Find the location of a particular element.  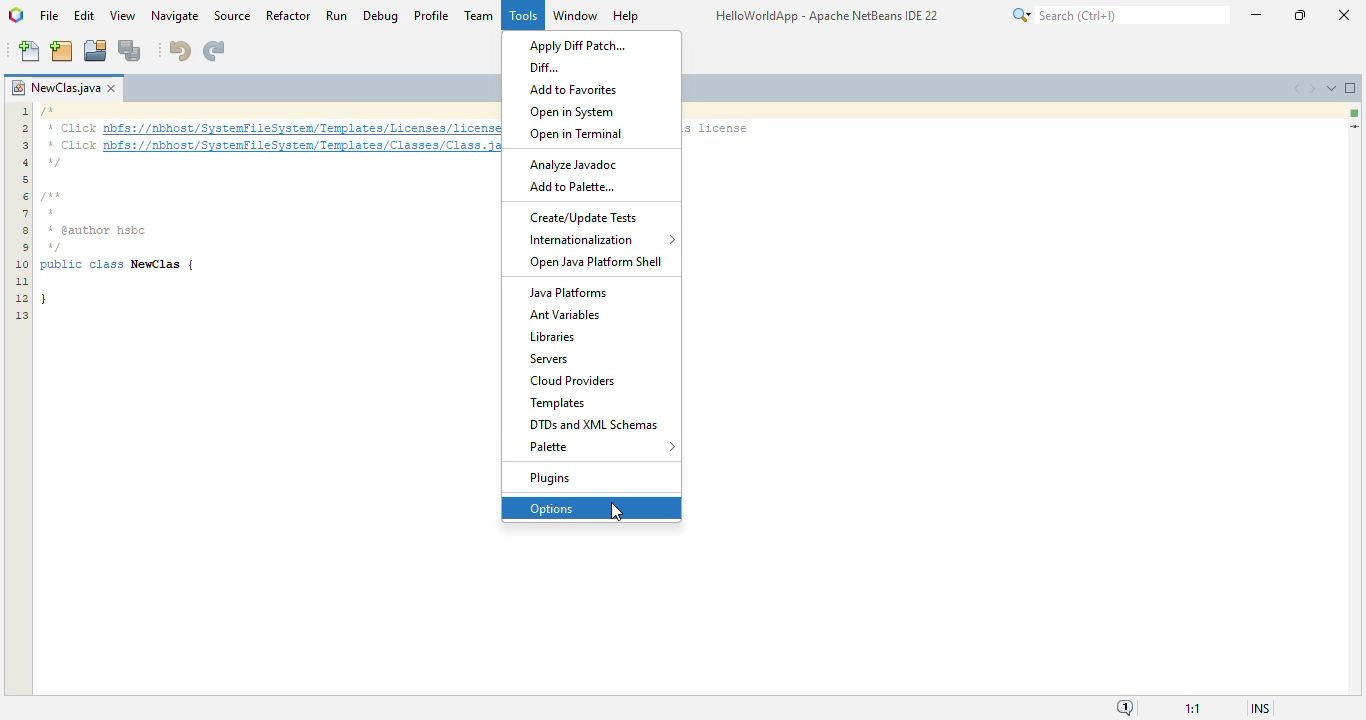

new file is located at coordinates (29, 51).